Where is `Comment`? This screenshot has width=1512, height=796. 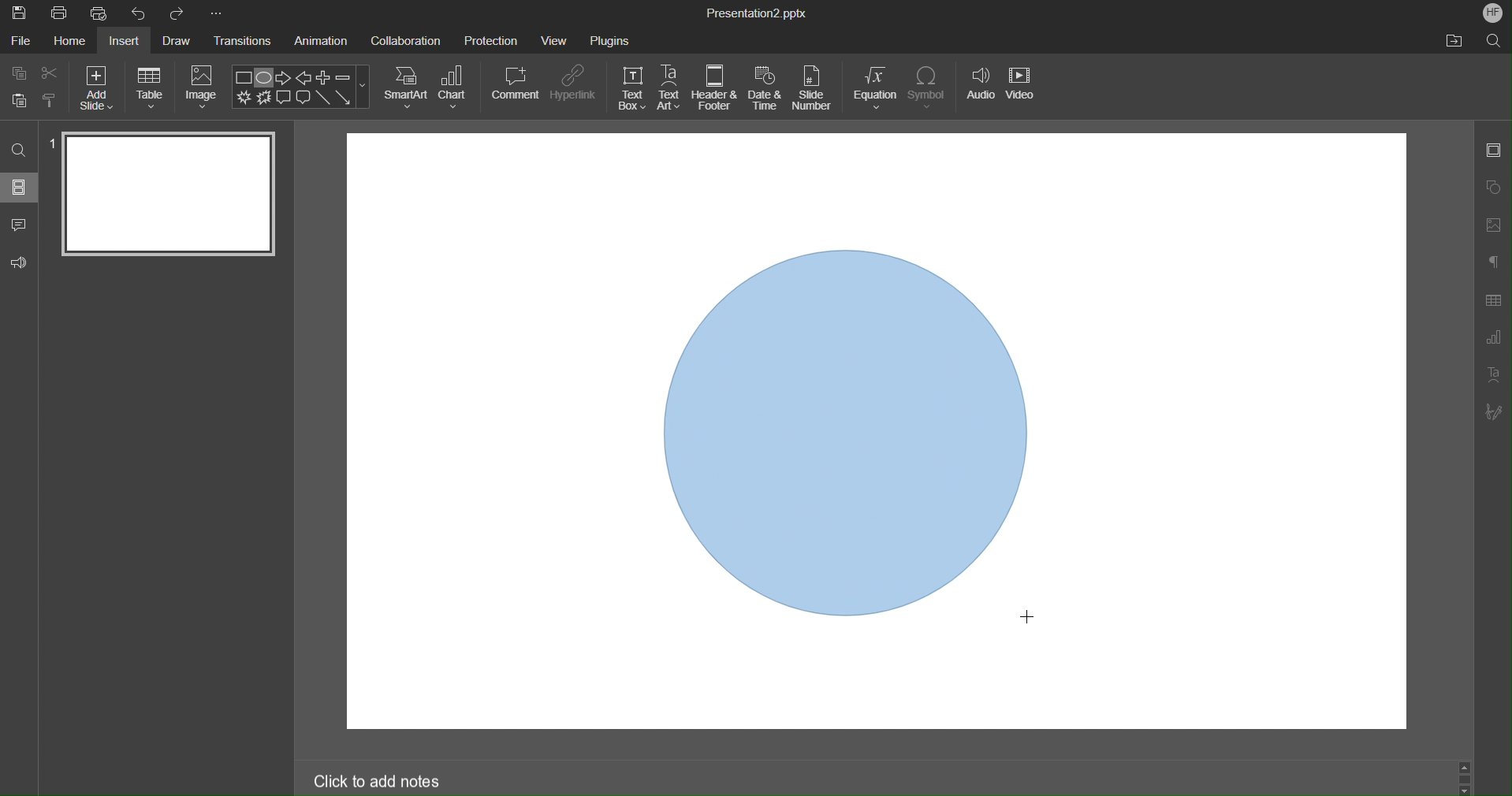
Comment is located at coordinates (20, 221).